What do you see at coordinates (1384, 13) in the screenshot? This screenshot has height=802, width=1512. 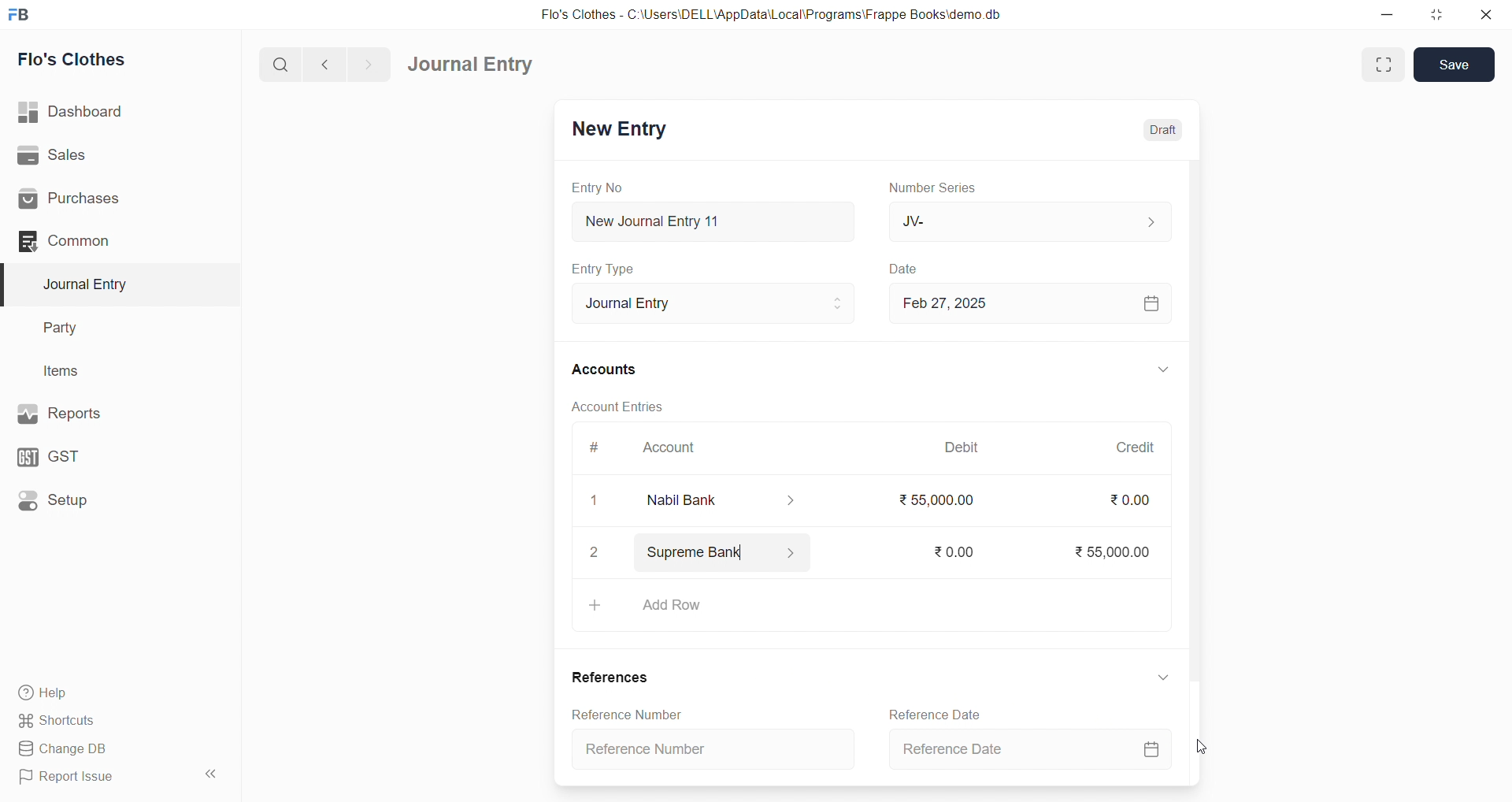 I see `minimize` at bounding box center [1384, 13].